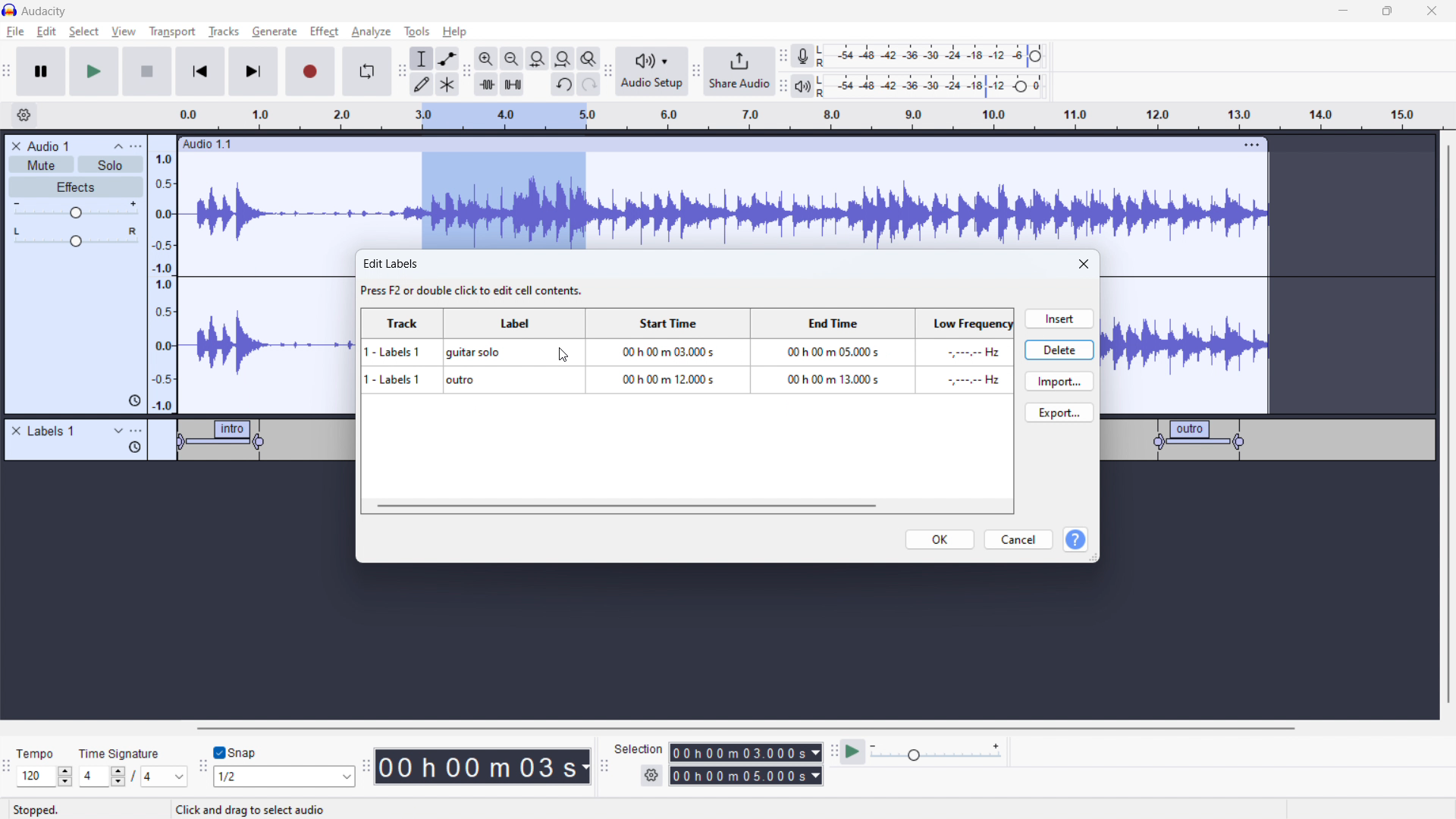 The width and height of the screenshot is (1456, 819). Describe the element at coordinates (852, 751) in the screenshot. I see `play at speed` at that location.